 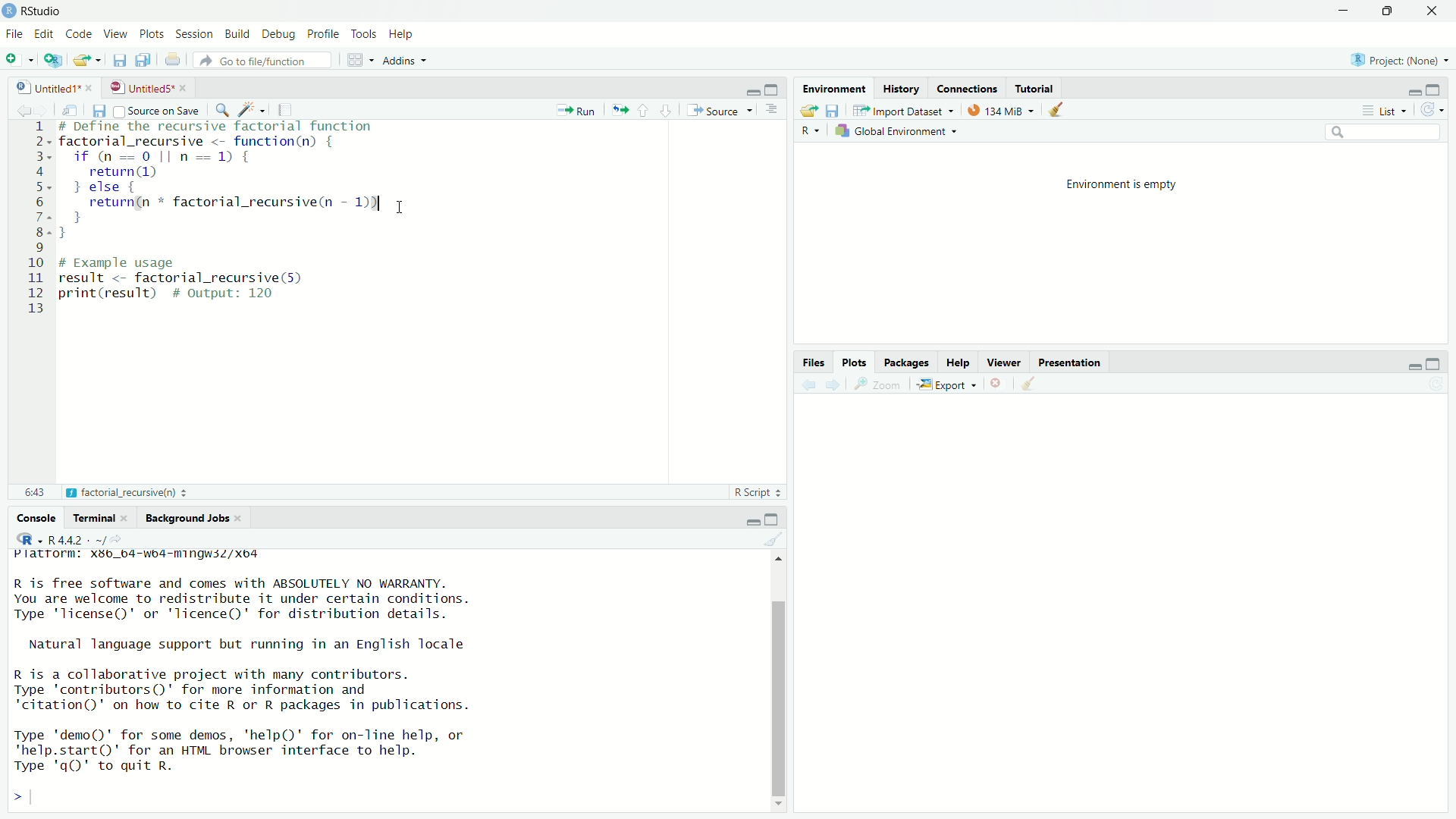 What do you see at coordinates (35, 214) in the screenshot?
I see `12345678910111213` at bounding box center [35, 214].